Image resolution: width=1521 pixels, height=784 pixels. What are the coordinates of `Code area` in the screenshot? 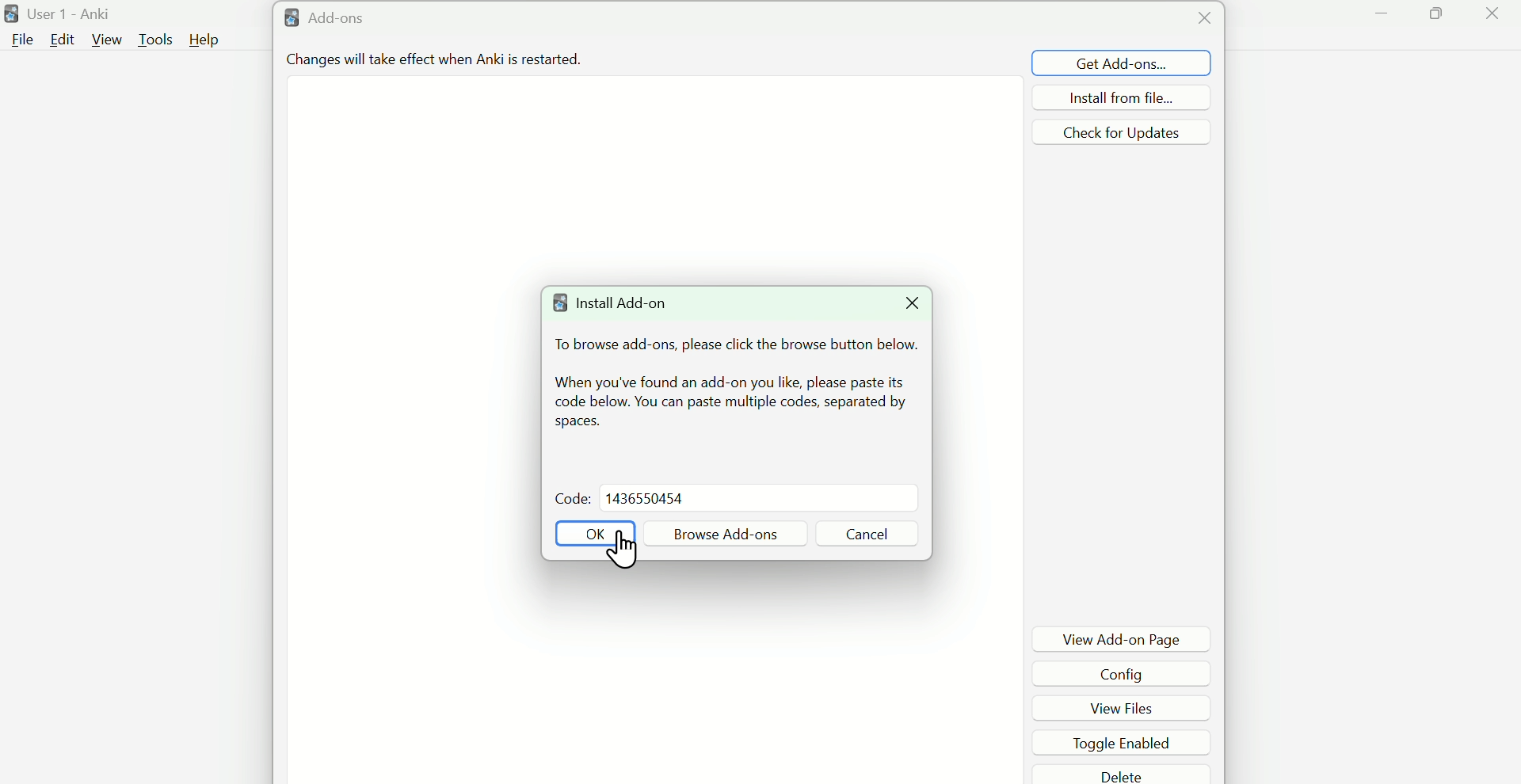 It's located at (760, 497).